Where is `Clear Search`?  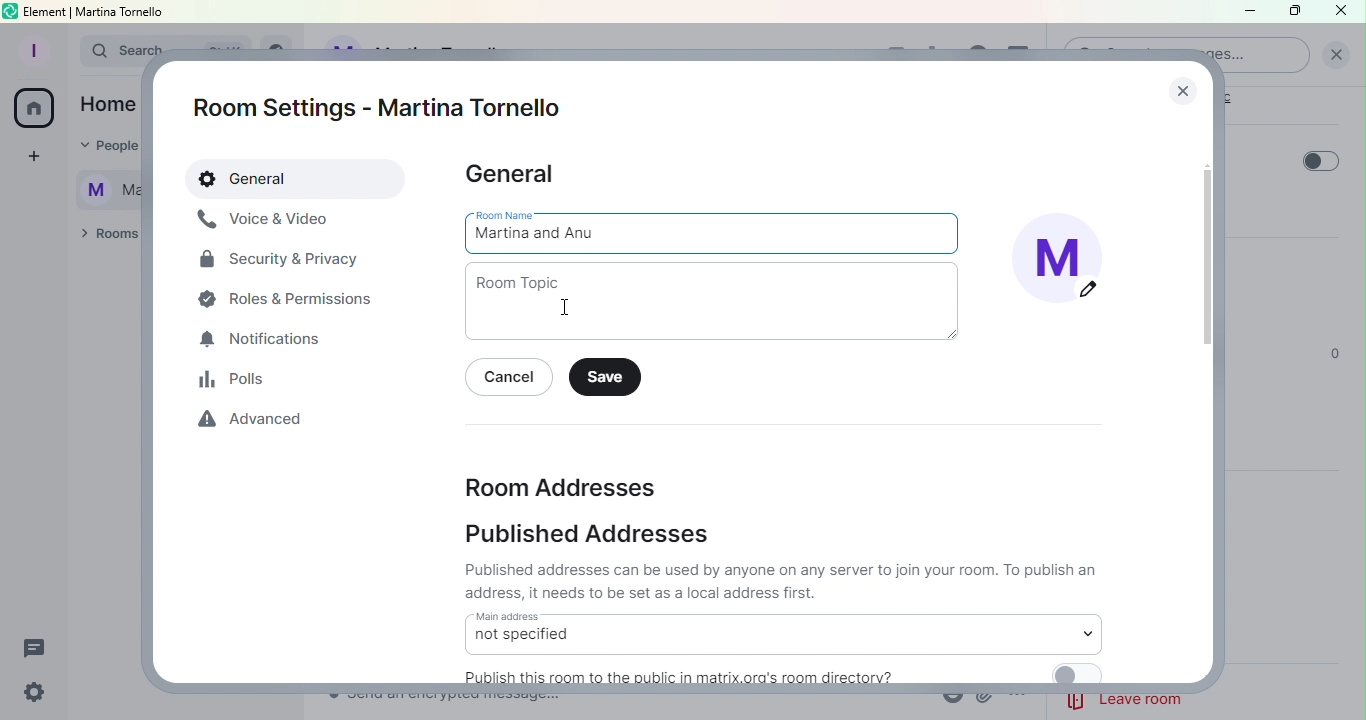 Clear Search is located at coordinates (1336, 55).